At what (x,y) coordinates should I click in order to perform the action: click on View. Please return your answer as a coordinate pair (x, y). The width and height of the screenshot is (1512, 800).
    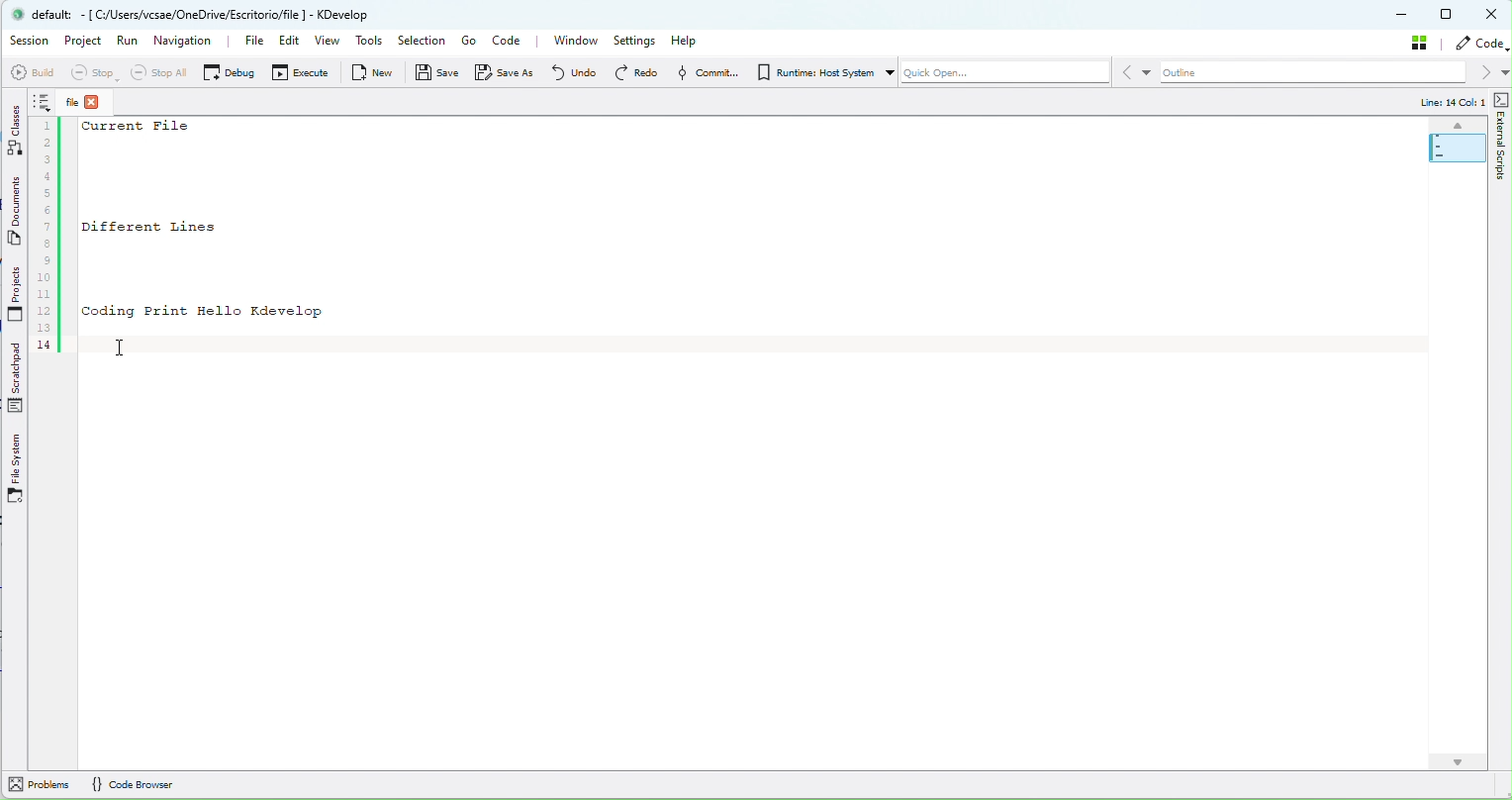
    Looking at the image, I should click on (330, 43).